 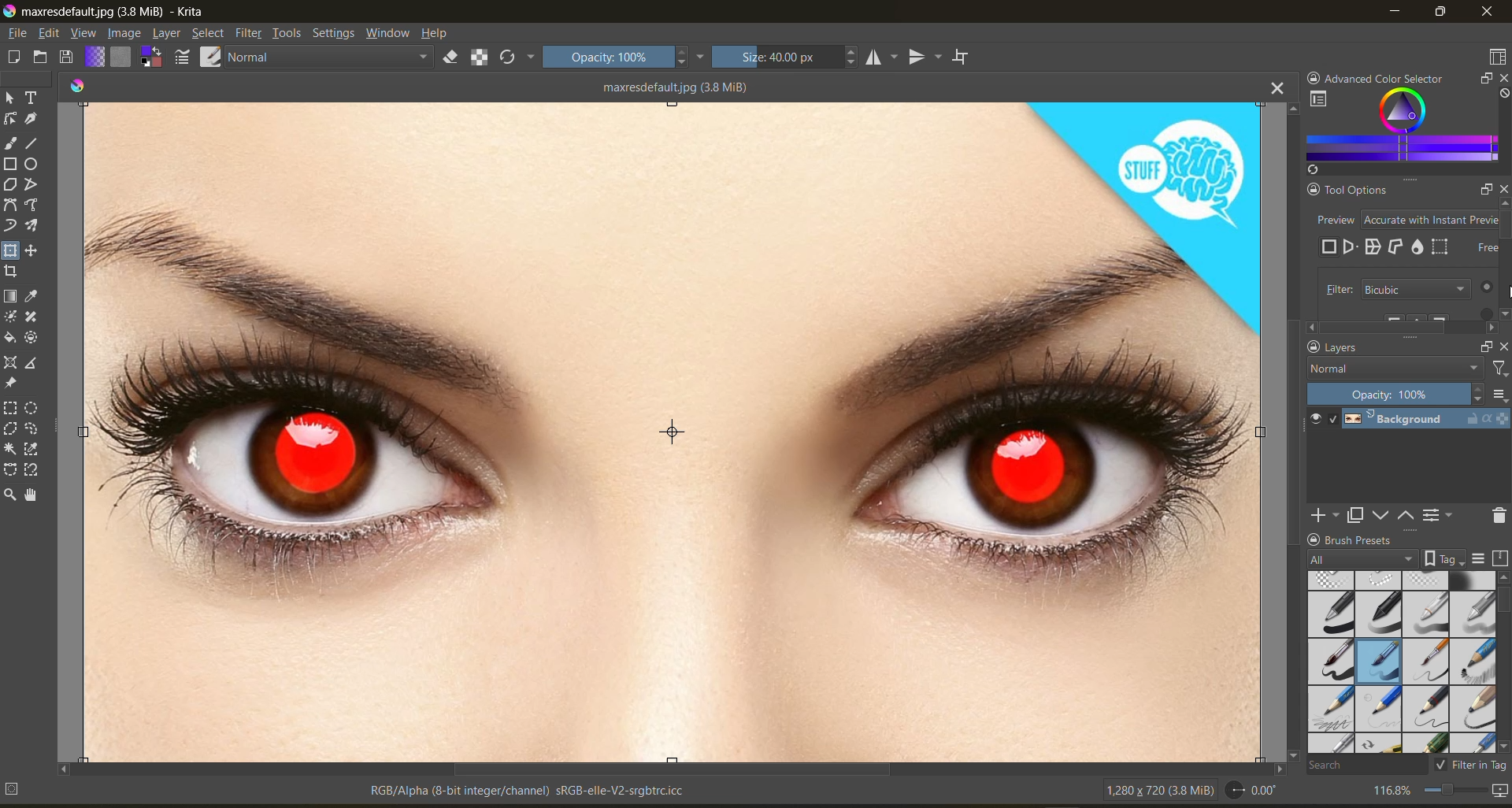 I want to click on close, so click(x=1487, y=13).